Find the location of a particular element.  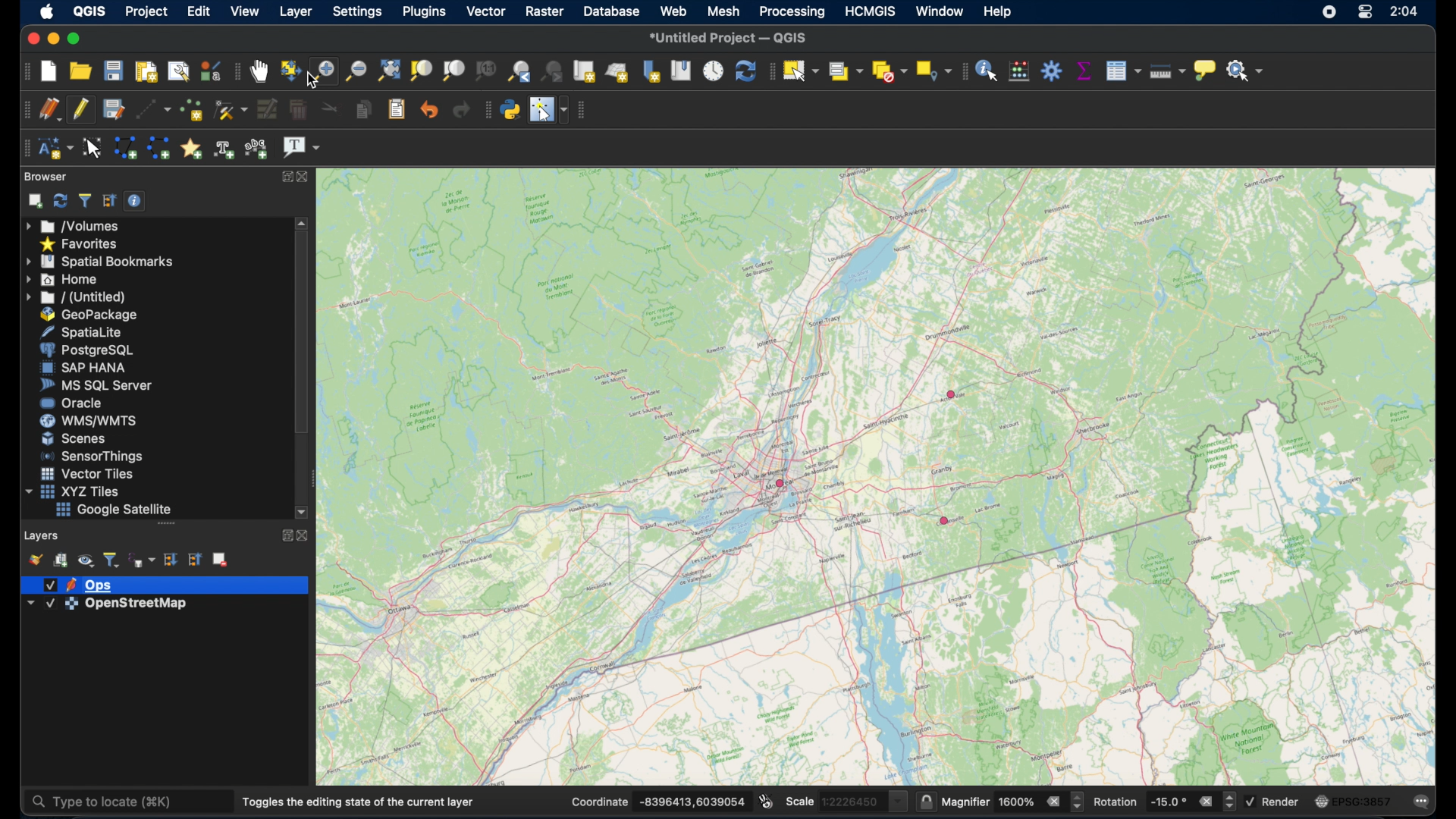

create line annotation is located at coordinates (158, 148).